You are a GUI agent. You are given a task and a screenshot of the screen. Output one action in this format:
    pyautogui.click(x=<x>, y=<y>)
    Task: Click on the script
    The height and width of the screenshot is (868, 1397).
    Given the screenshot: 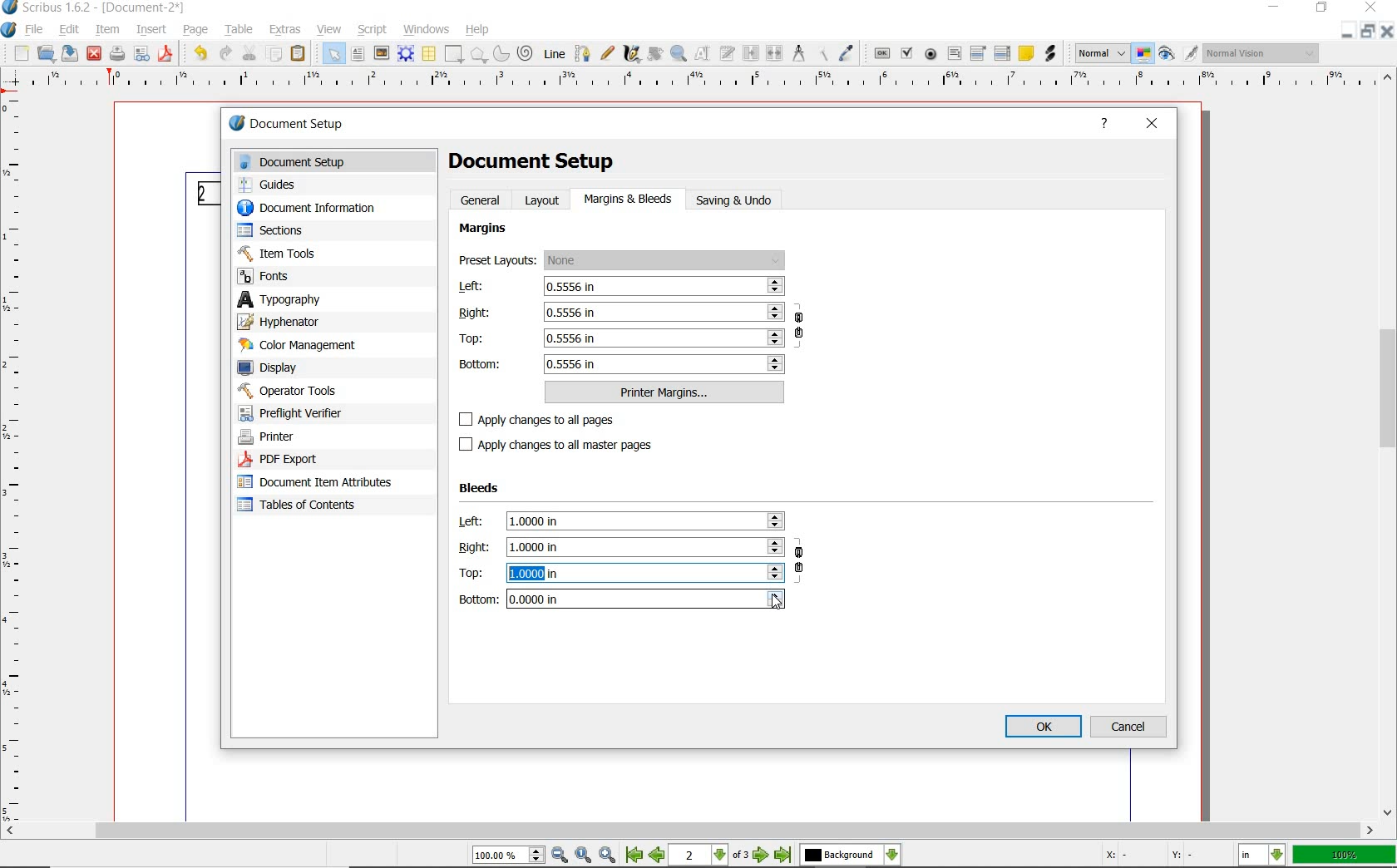 What is the action you would take?
    pyautogui.click(x=374, y=29)
    